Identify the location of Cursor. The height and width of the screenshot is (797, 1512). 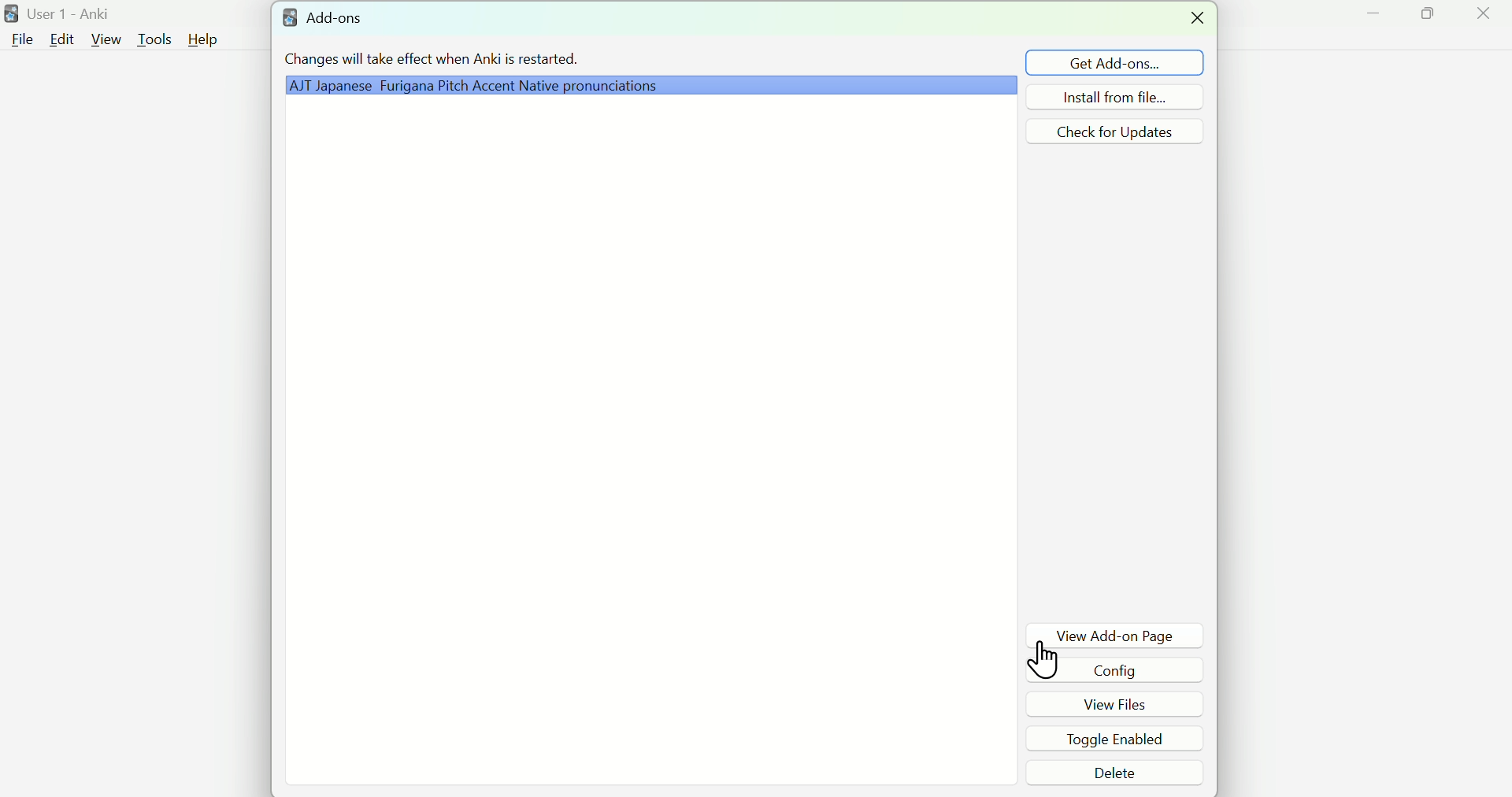
(1041, 661).